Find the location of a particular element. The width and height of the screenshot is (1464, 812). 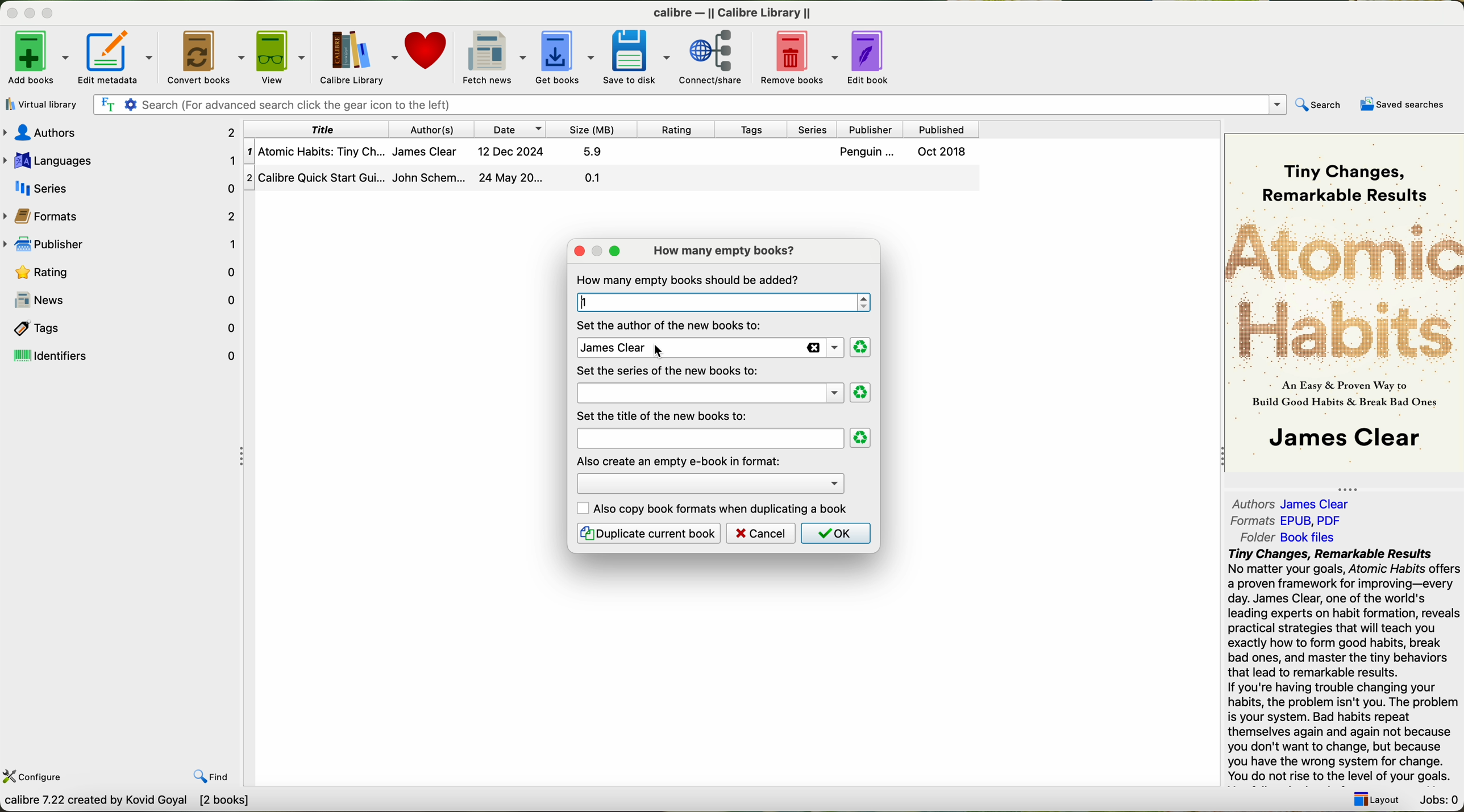

click on author is located at coordinates (707, 347).